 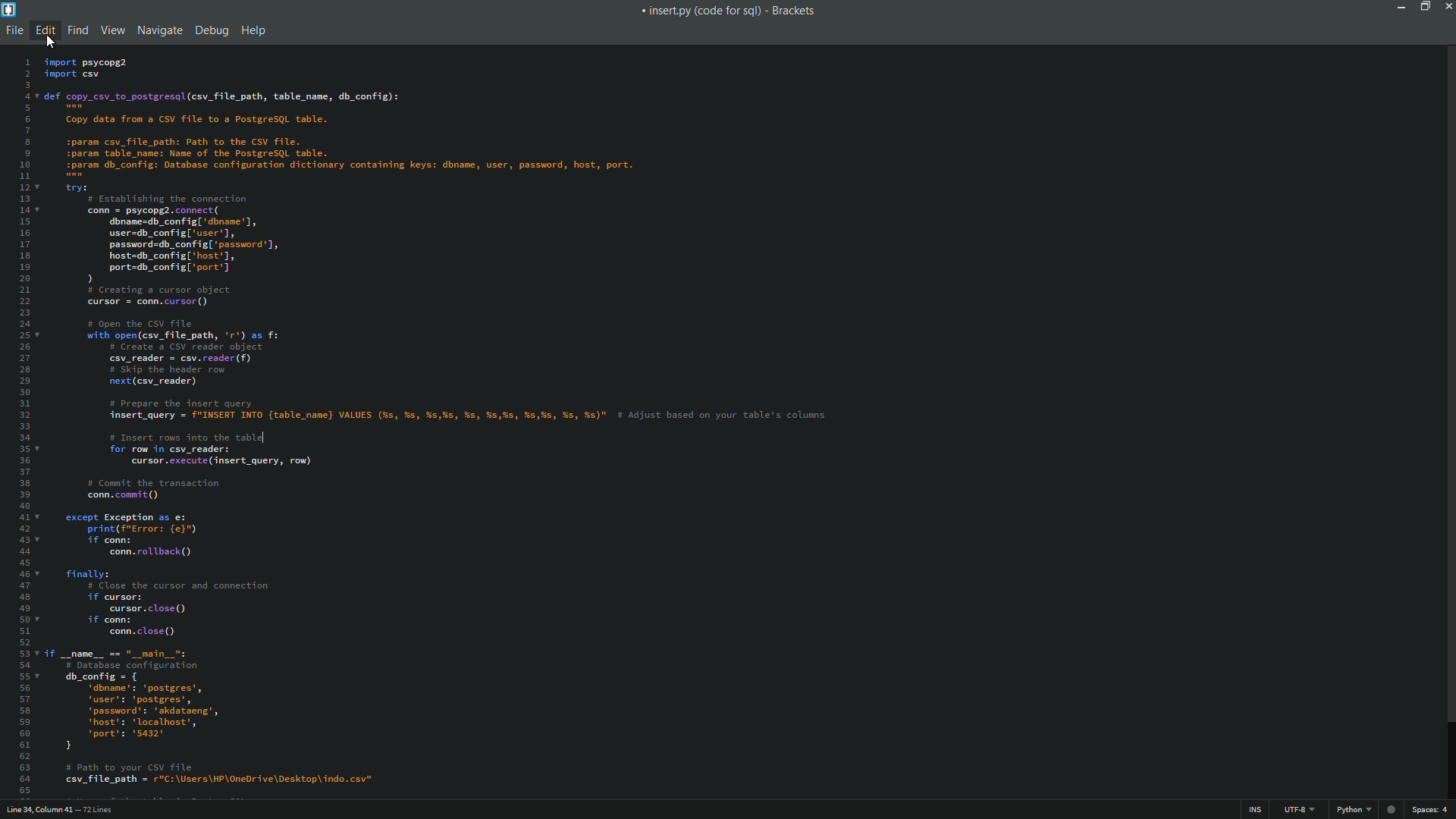 I want to click on find menu, so click(x=78, y=30).